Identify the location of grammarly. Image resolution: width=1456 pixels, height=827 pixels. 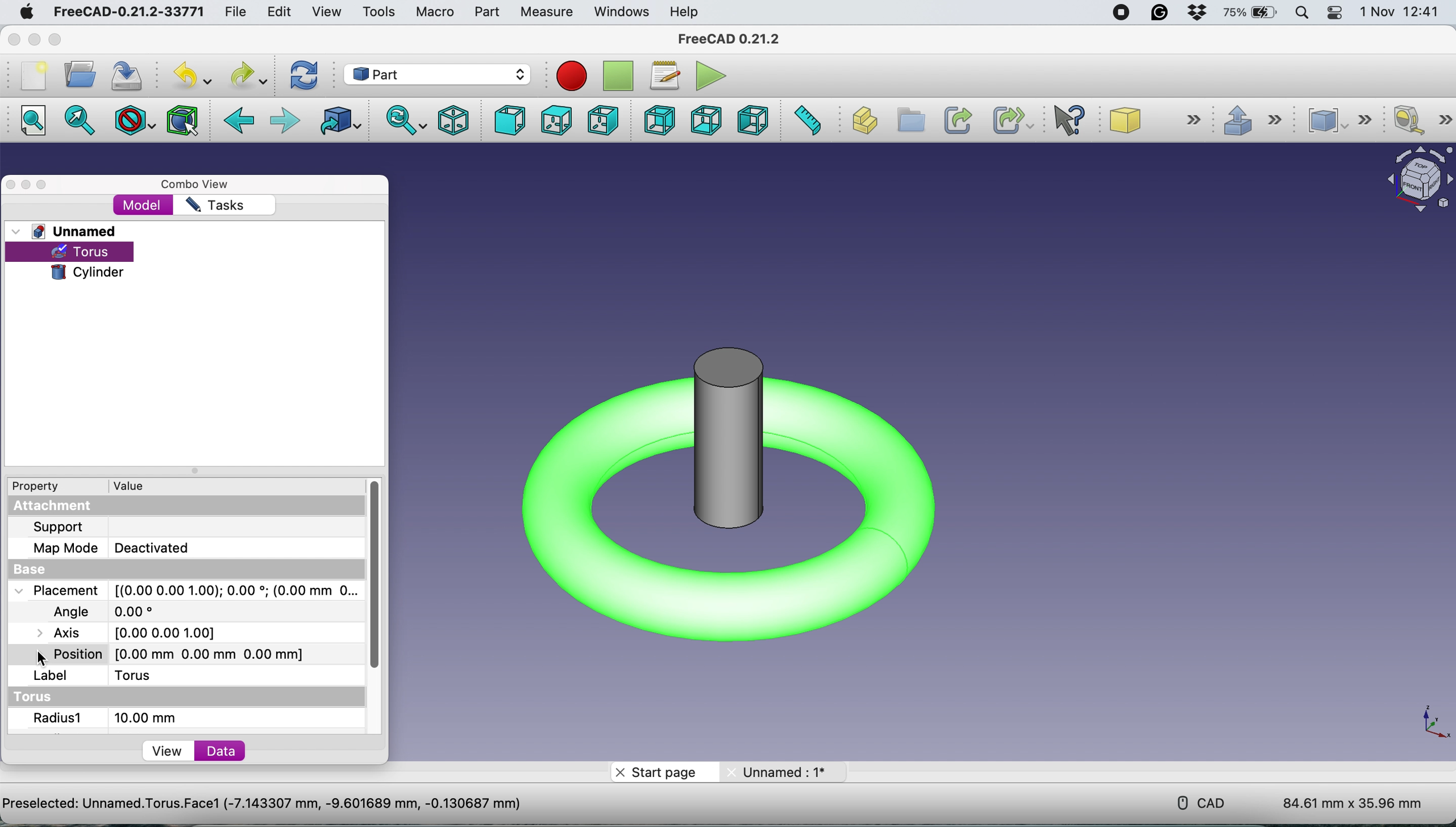
(1162, 15).